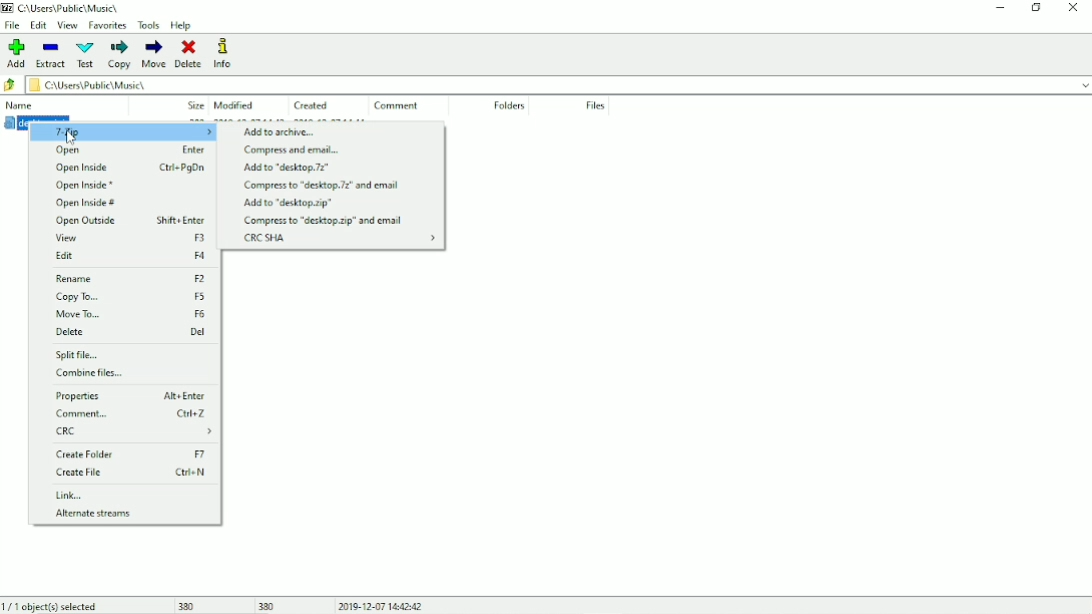 The height and width of the screenshot is (614, 1092). I want to click on Link, so click(74, 495).